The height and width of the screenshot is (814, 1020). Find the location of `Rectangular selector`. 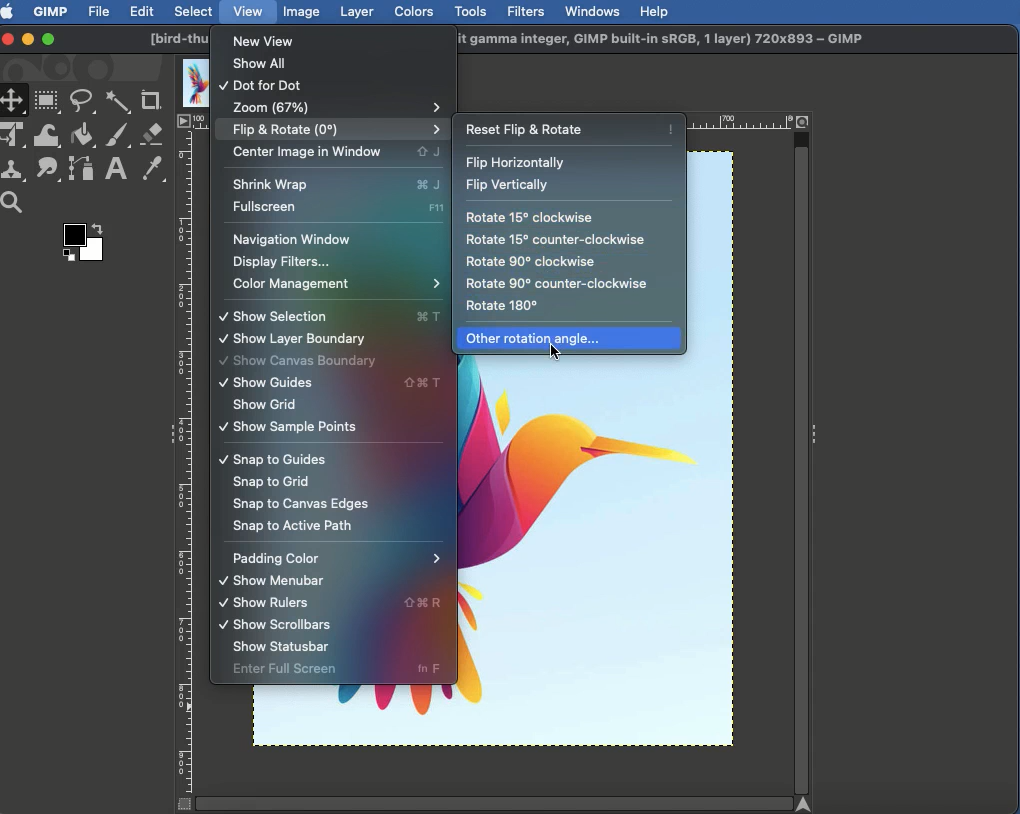

Rectangular selector is located at coordinates (47, 102).